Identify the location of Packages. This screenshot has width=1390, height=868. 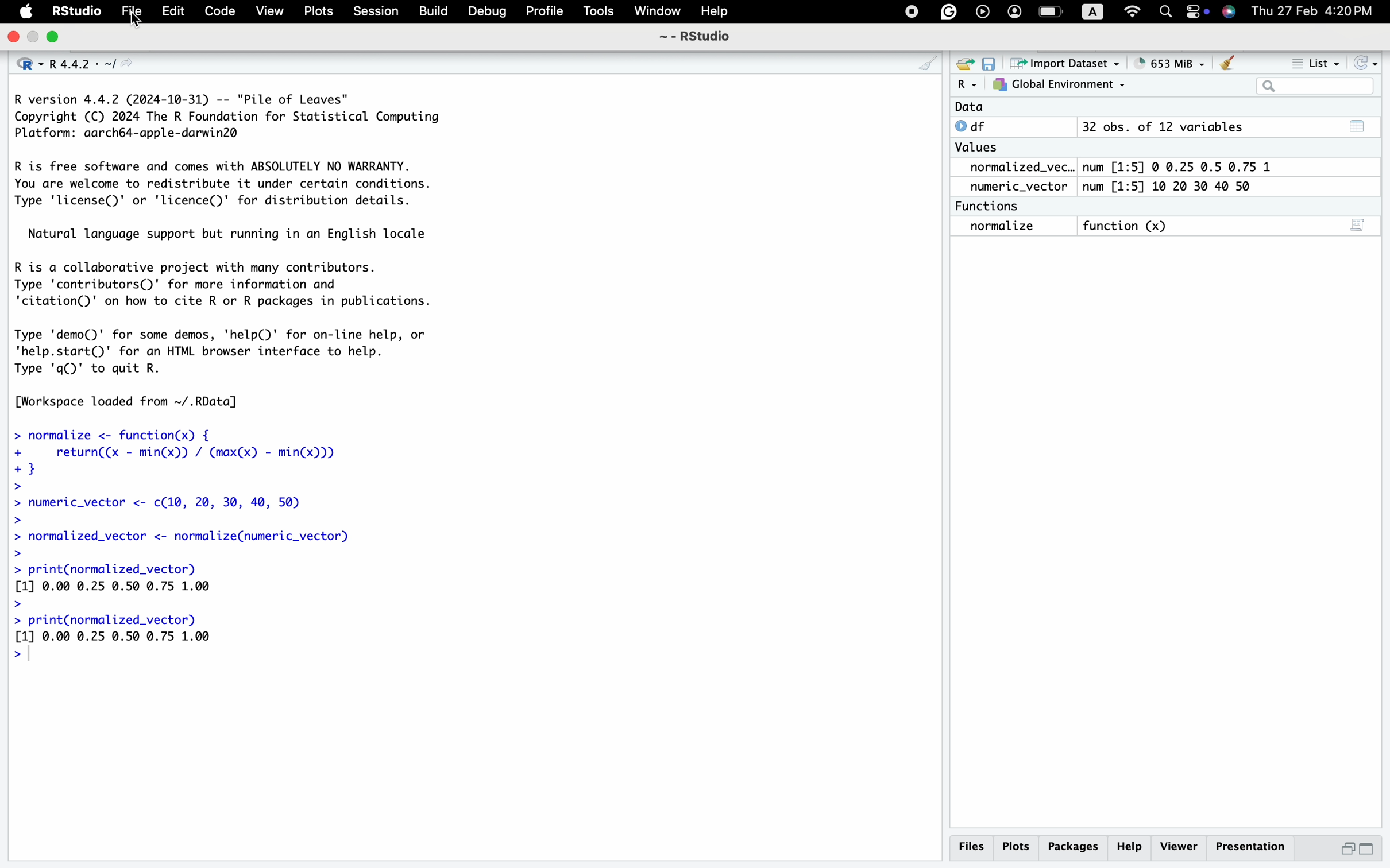
(1075, 846).